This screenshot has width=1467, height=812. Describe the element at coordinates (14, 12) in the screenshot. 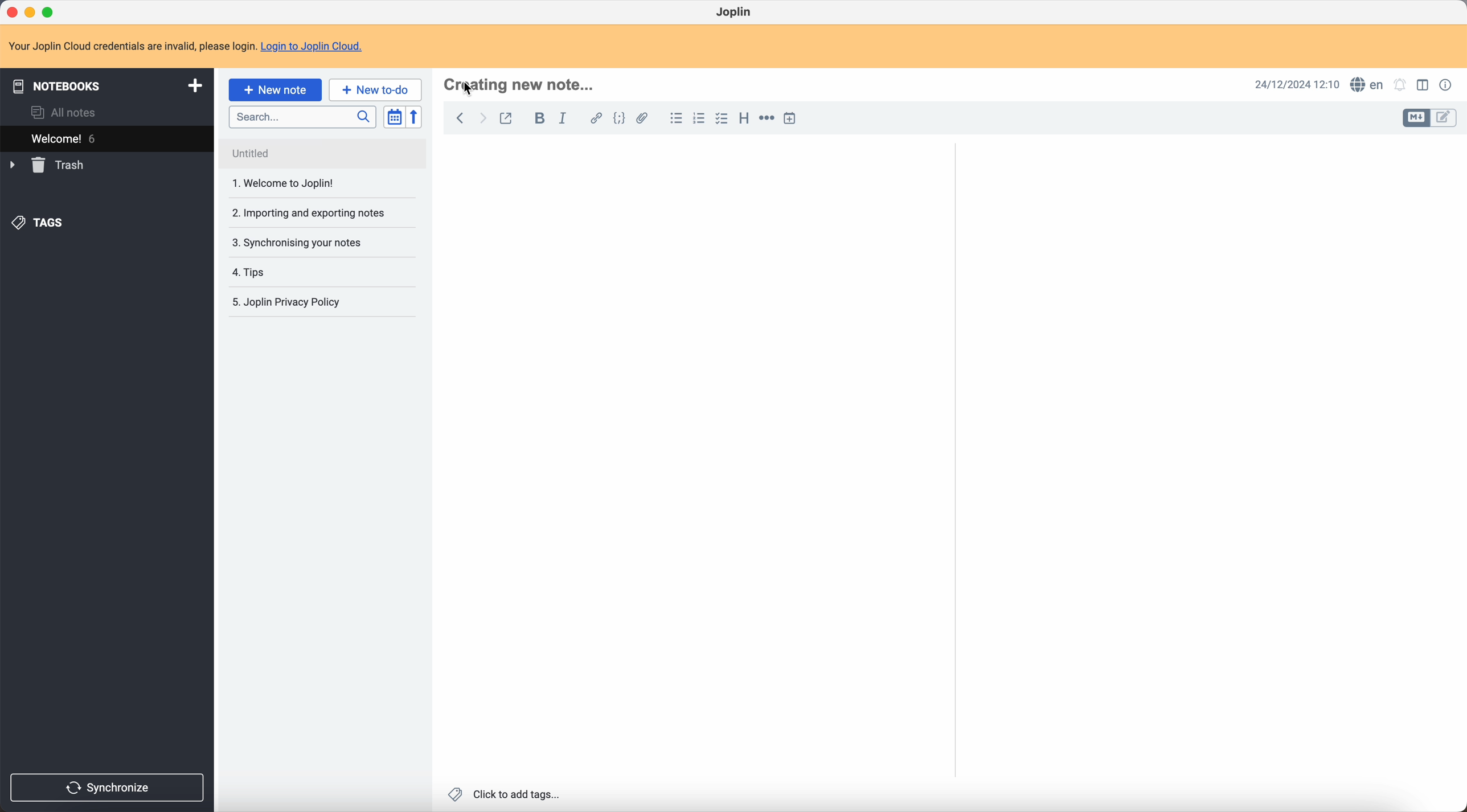

I see `close` at that location.